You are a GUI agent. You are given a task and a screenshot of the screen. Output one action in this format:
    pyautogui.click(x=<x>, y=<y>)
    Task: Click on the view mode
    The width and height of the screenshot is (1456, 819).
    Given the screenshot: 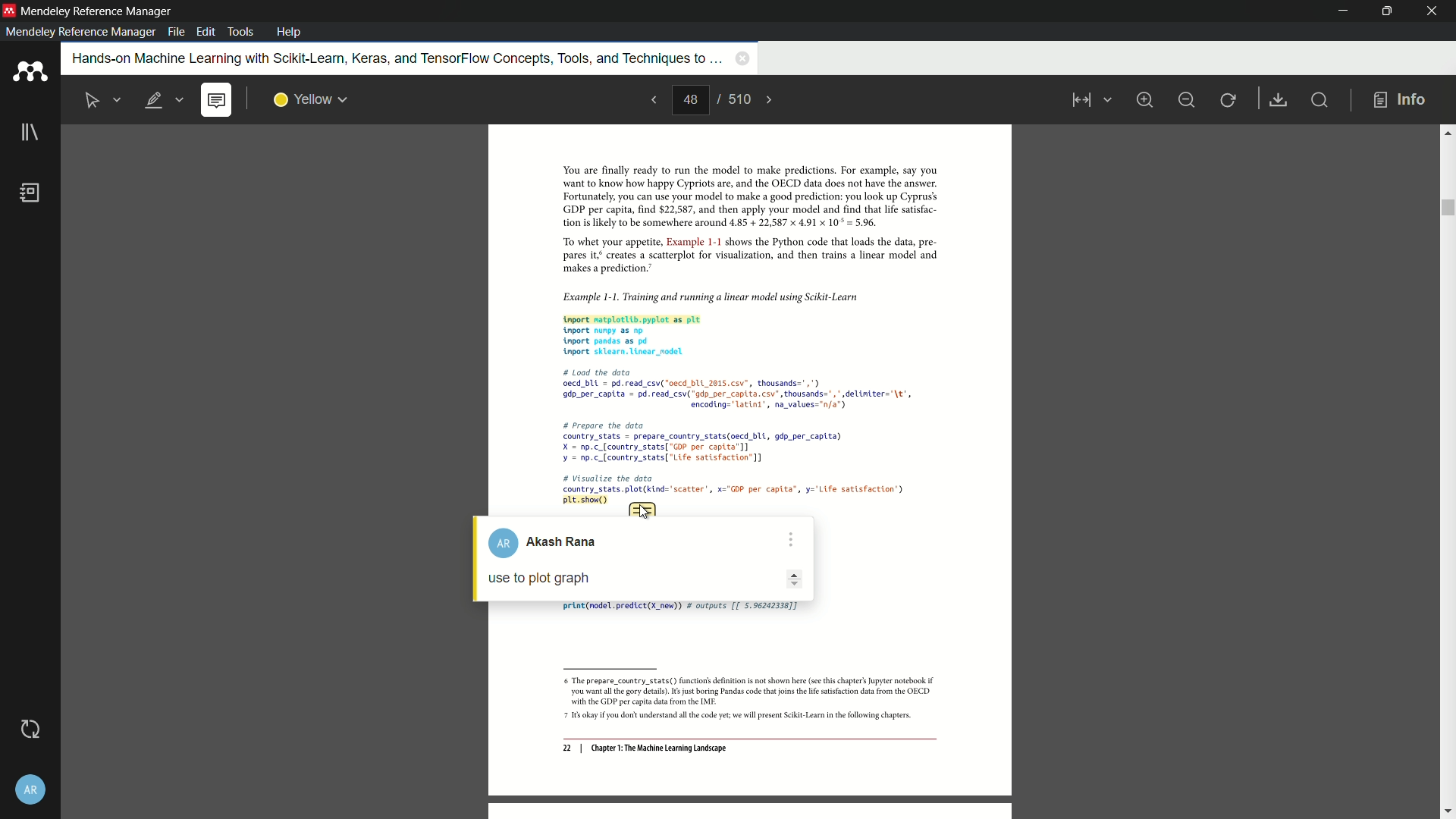 What is the action you would take?
    pyautogui.click(x=1089, y=100)
    